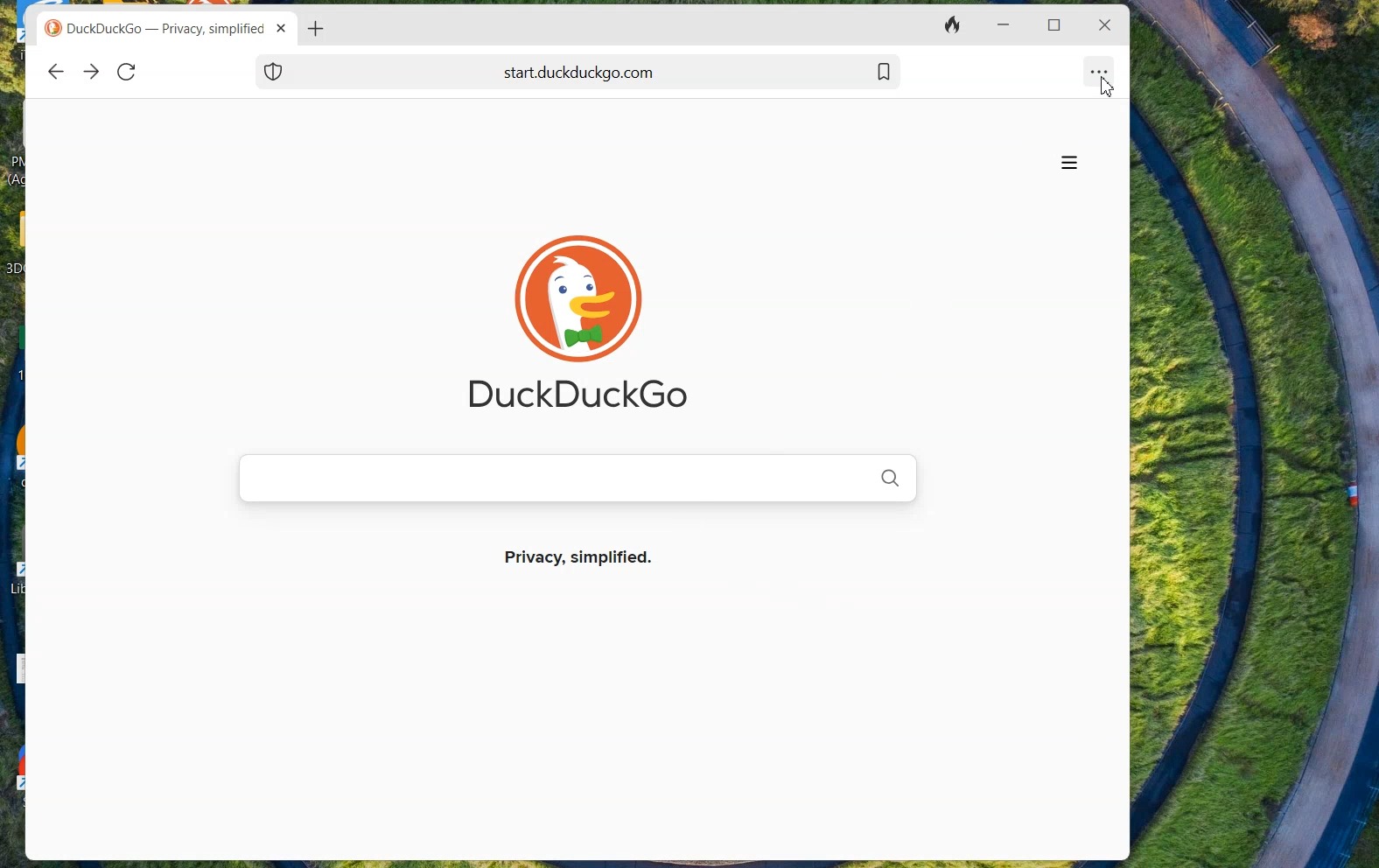 The height and width of the screenshot is (868, 1379). I want to click on Minimize, so click(1001, 26).